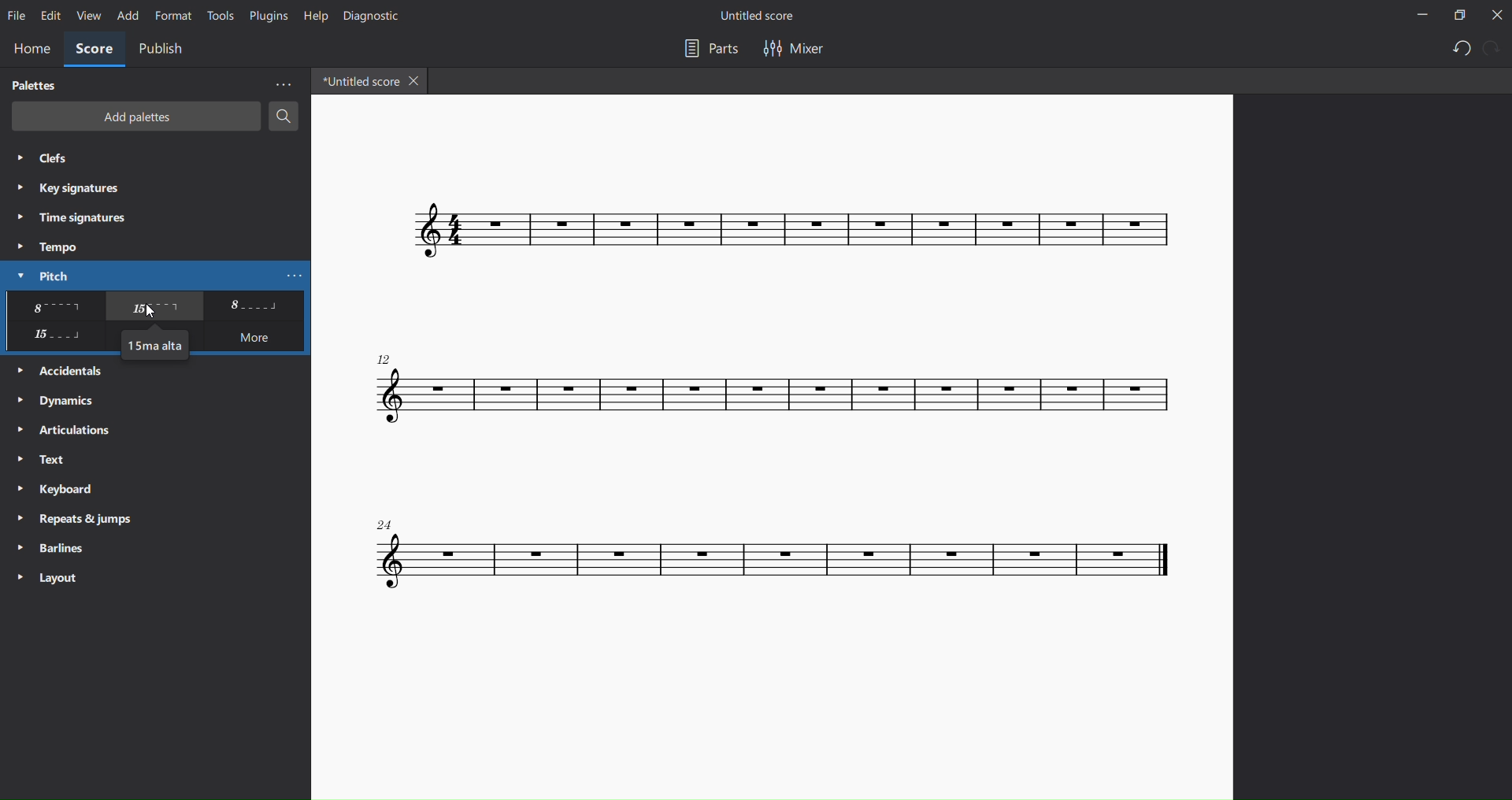 Image resolution: width=1512 pixels, height=800 pixels. Describe the element at coordinates (1455, 15) in the screenshot. I see `maximize` at that location.